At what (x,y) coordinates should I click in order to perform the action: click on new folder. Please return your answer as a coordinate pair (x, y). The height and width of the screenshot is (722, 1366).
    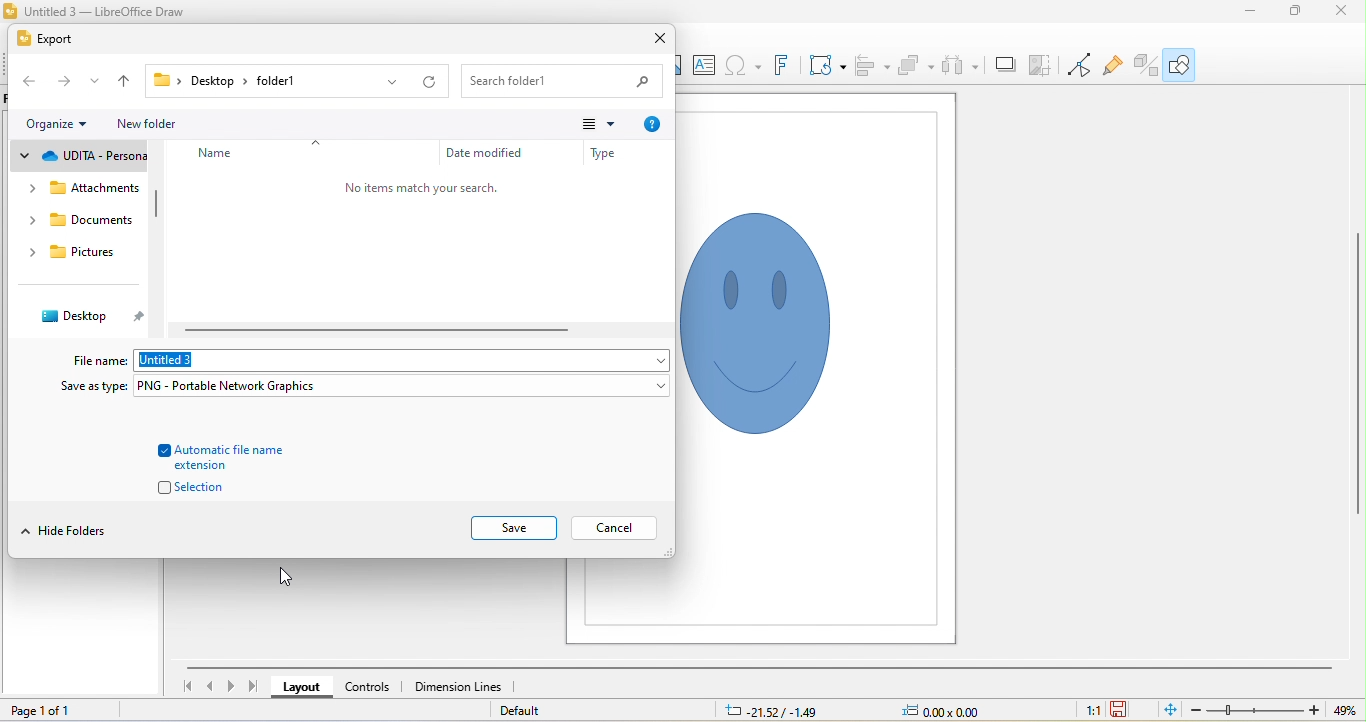
    Looking at the image, I should click on (152, 125).